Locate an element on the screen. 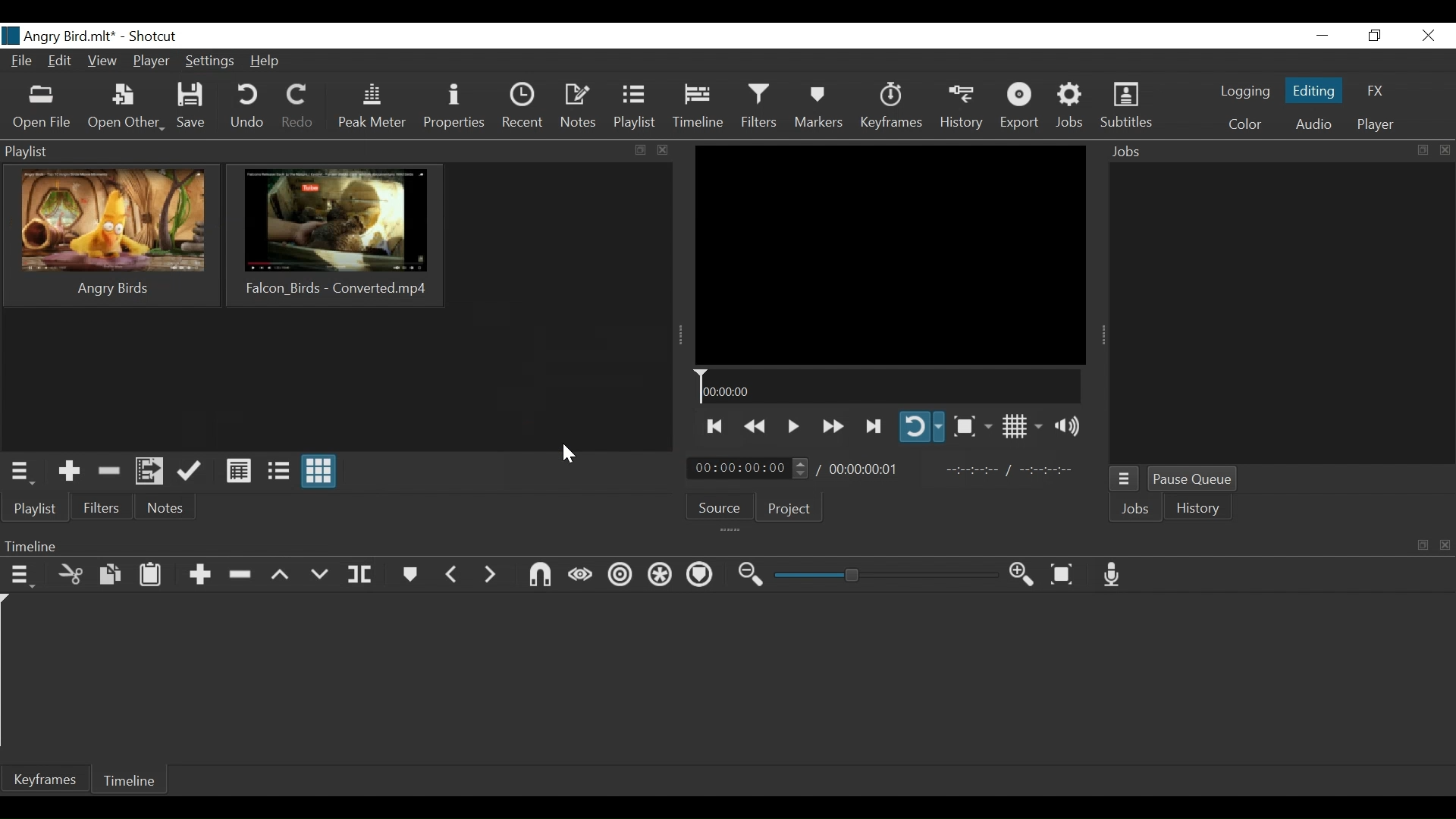 This screenshot has height=819, width=1456. Timeline is located at coordinates (698, 108).